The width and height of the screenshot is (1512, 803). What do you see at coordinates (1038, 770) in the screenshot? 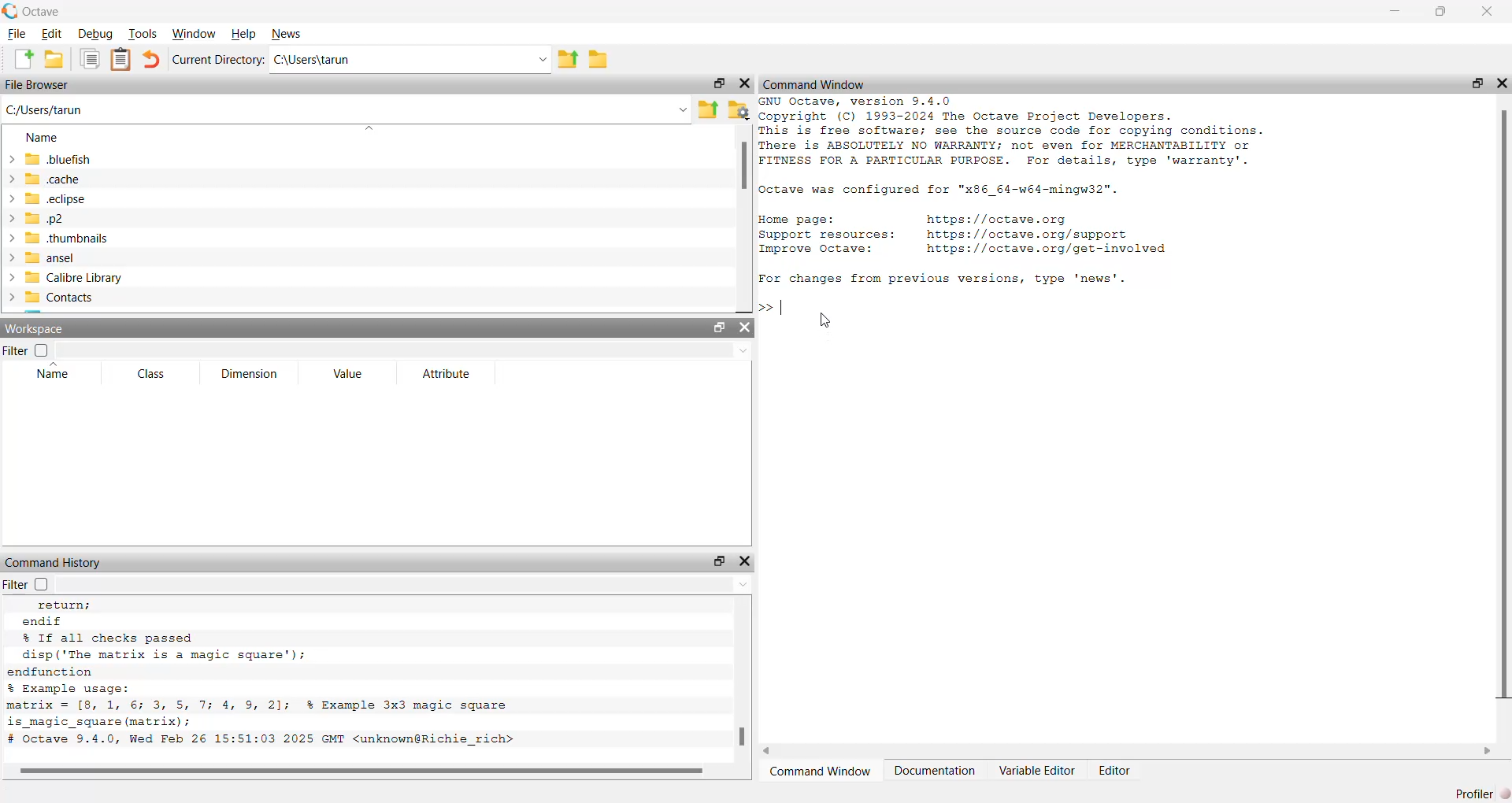
I see `Variable Editor` at bounding box center [1038, 770].